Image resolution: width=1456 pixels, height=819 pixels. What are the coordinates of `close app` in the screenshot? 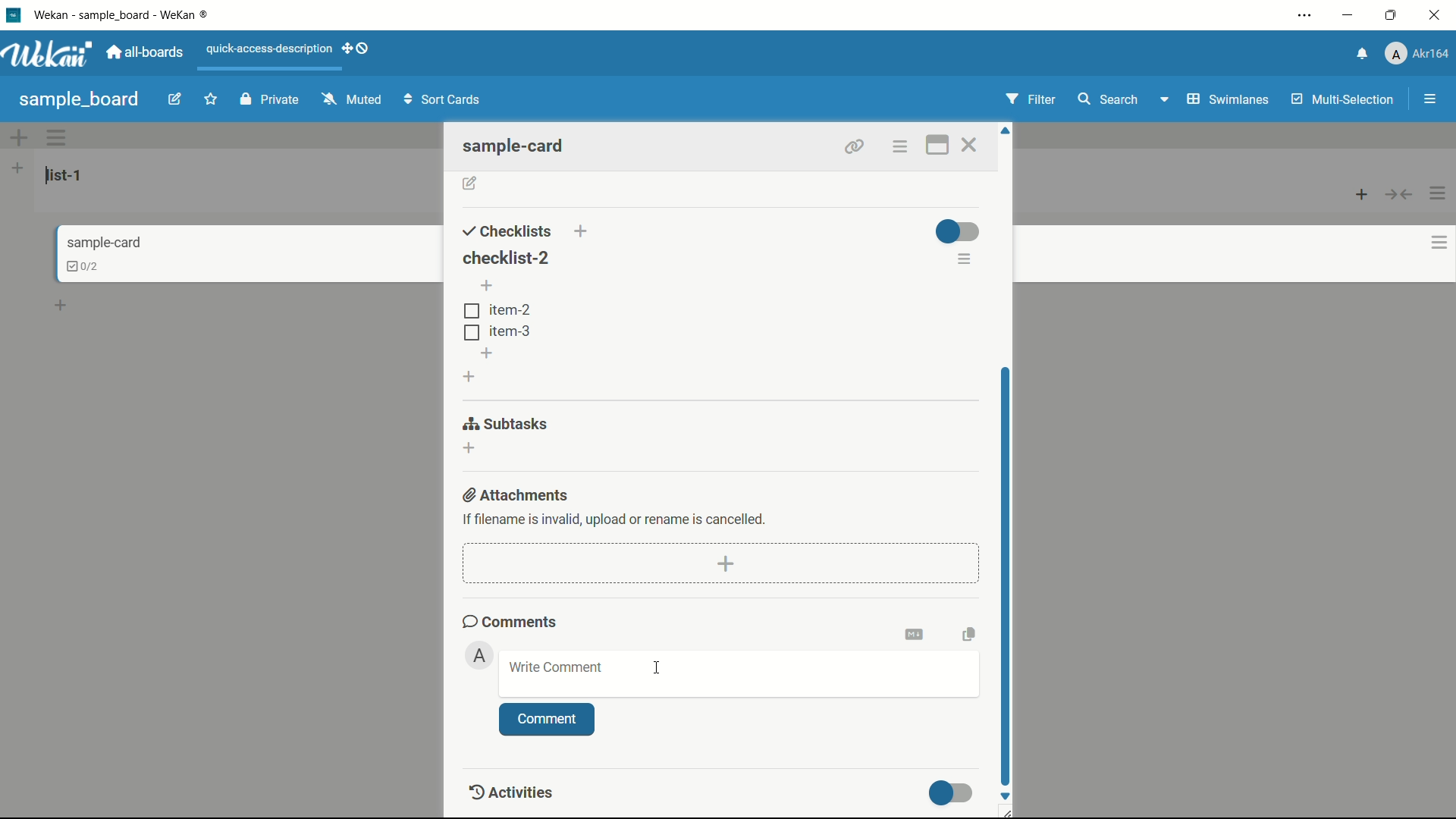 It's located at (1436, 15).